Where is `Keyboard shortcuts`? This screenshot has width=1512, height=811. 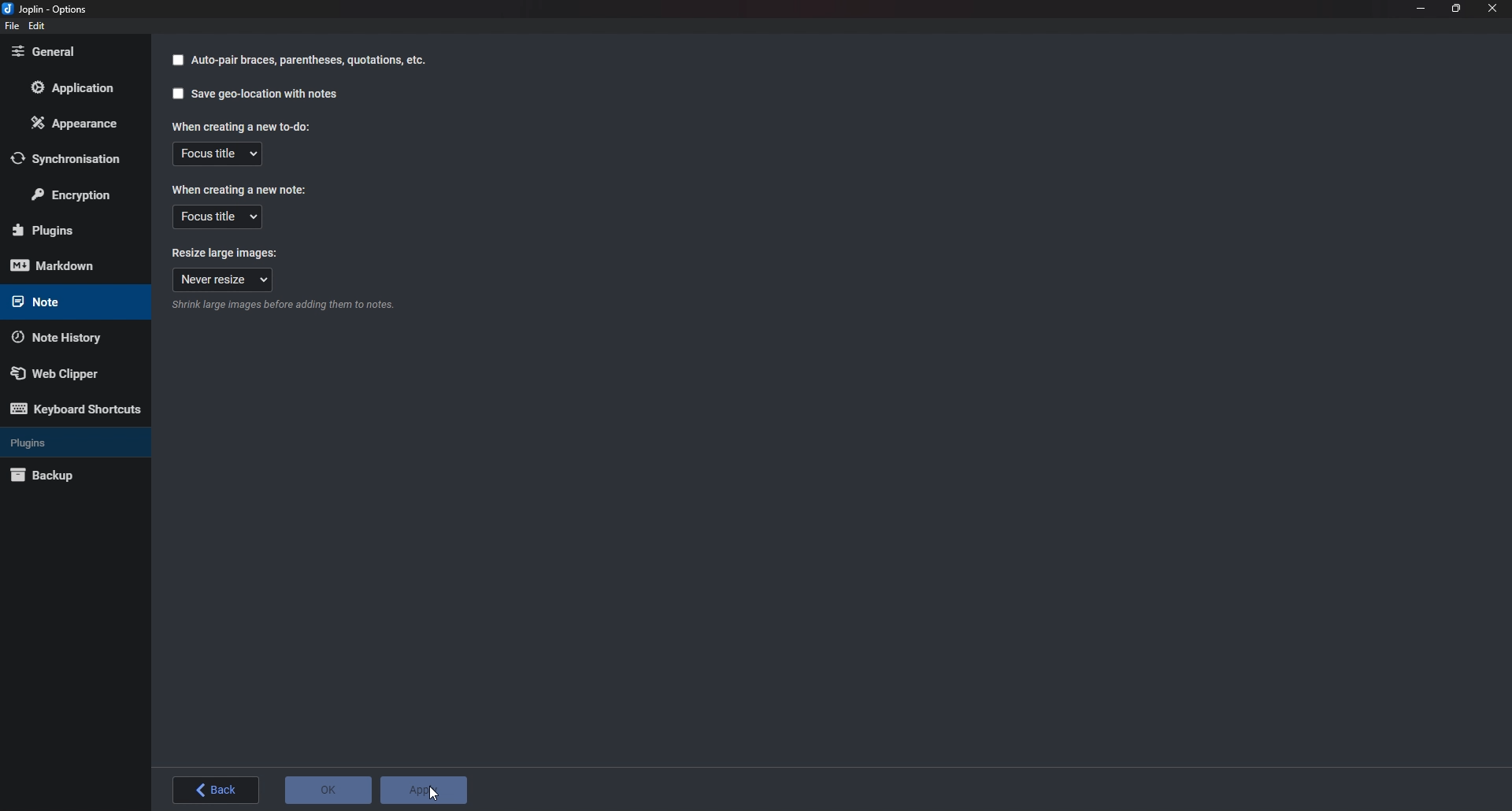
Keyboard shortcuts is located at coordinates (76, 409).